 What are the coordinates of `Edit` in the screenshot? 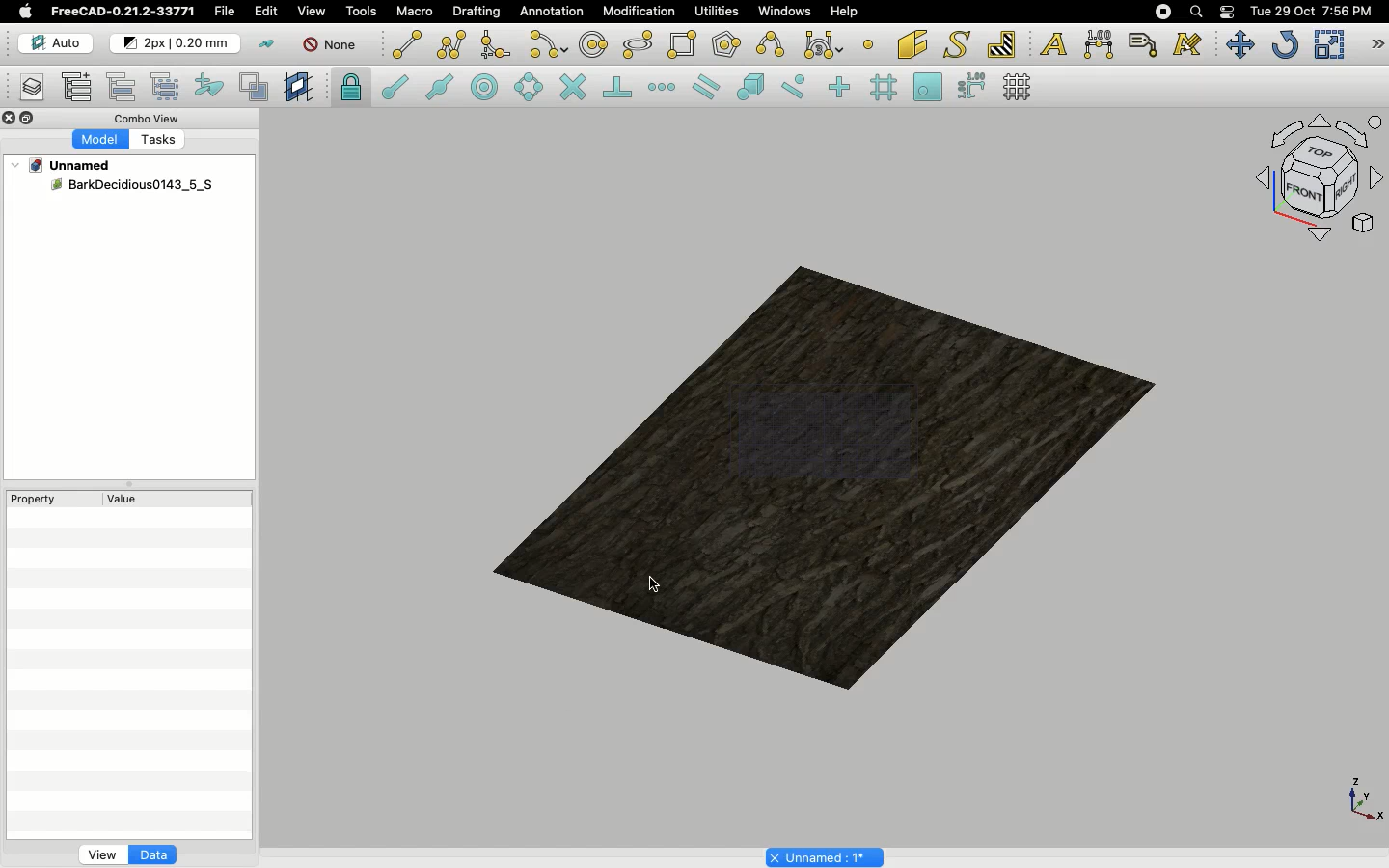 It's located at (267, 11).